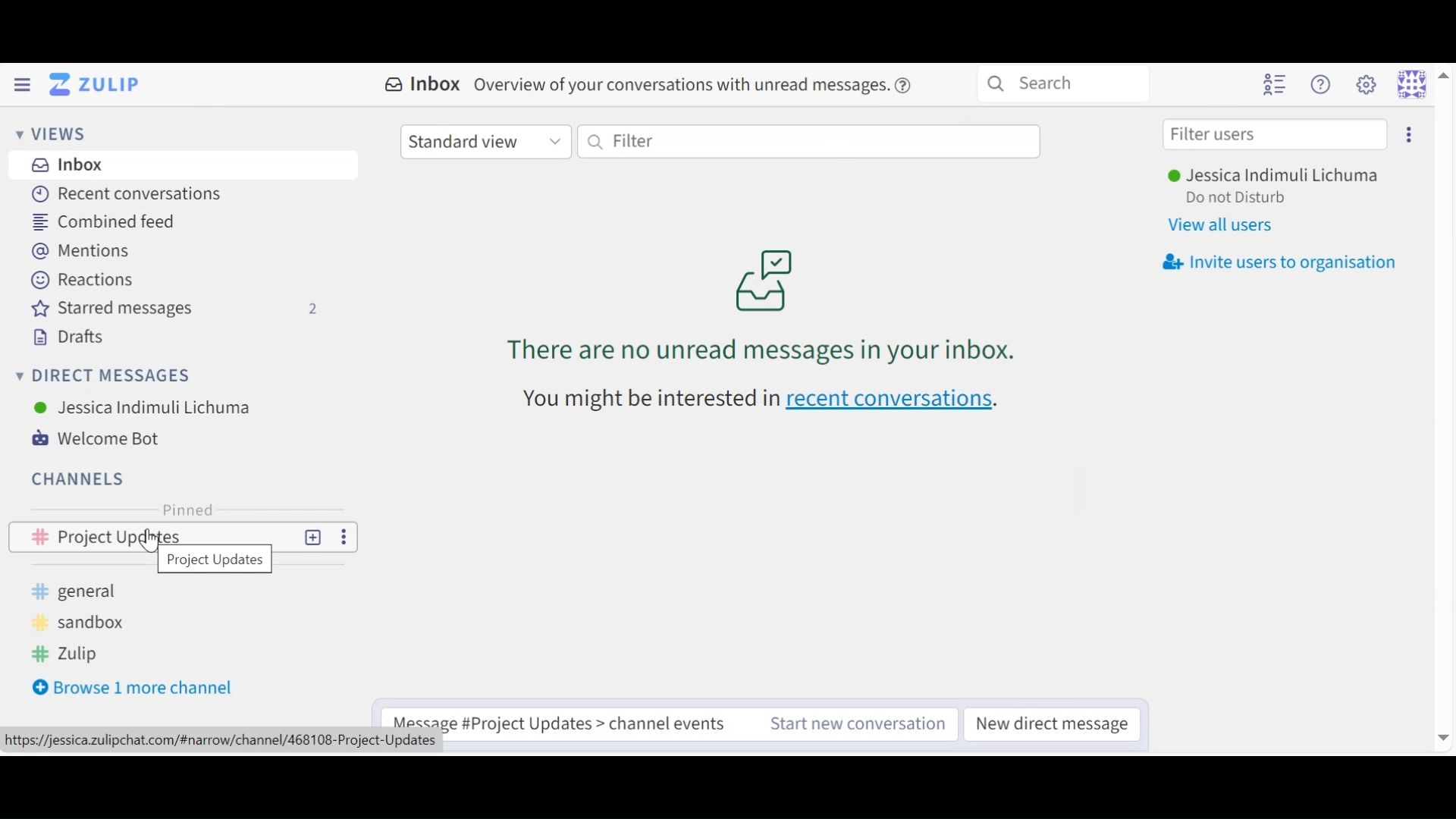 The width and height of the screenshot is (1456, 819). I want to click on Welcome Bot, so click(95, 440).